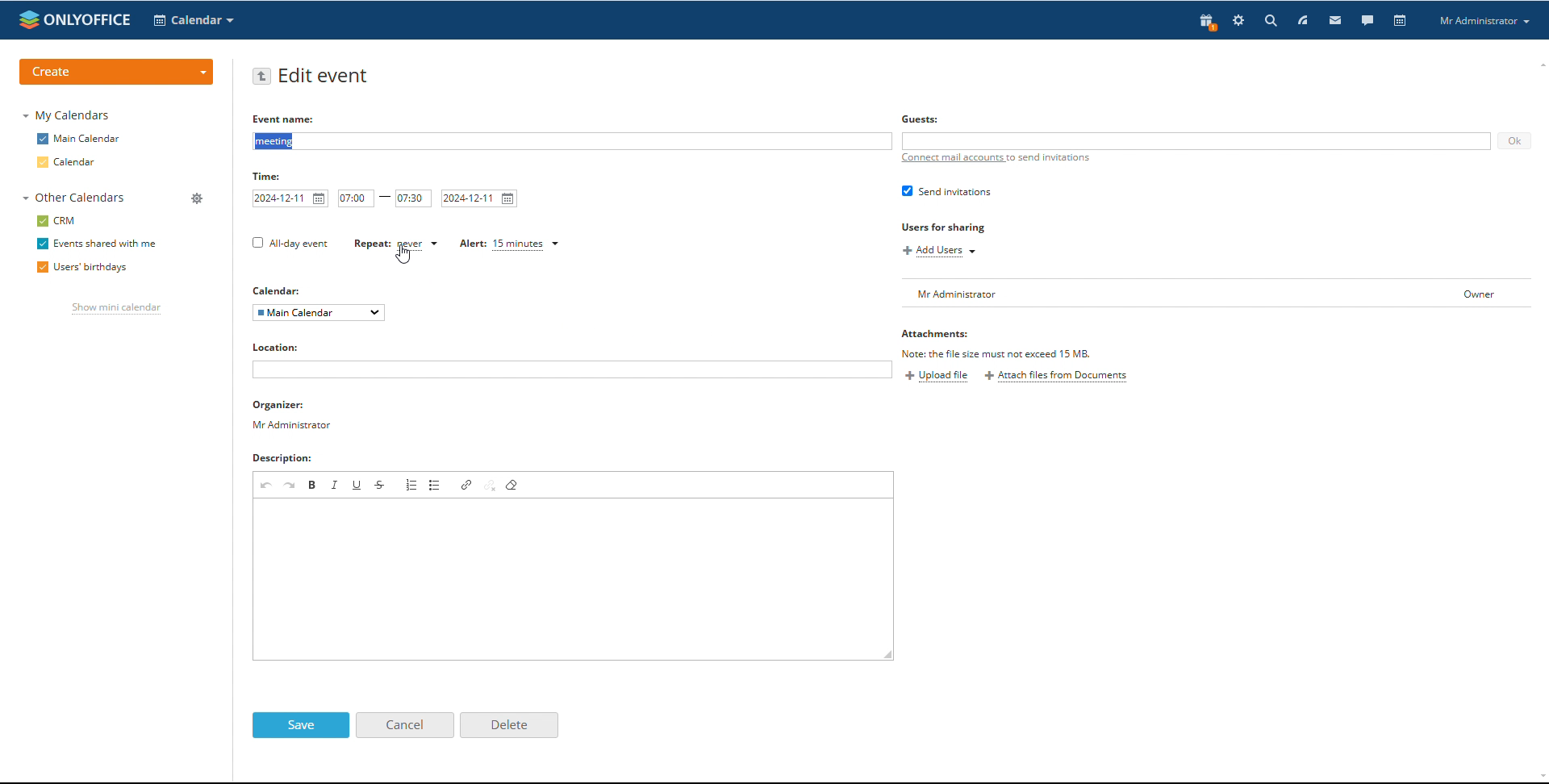  Describe the element at coordinates (301, 725) in the screenshot. I see `save` at that location.